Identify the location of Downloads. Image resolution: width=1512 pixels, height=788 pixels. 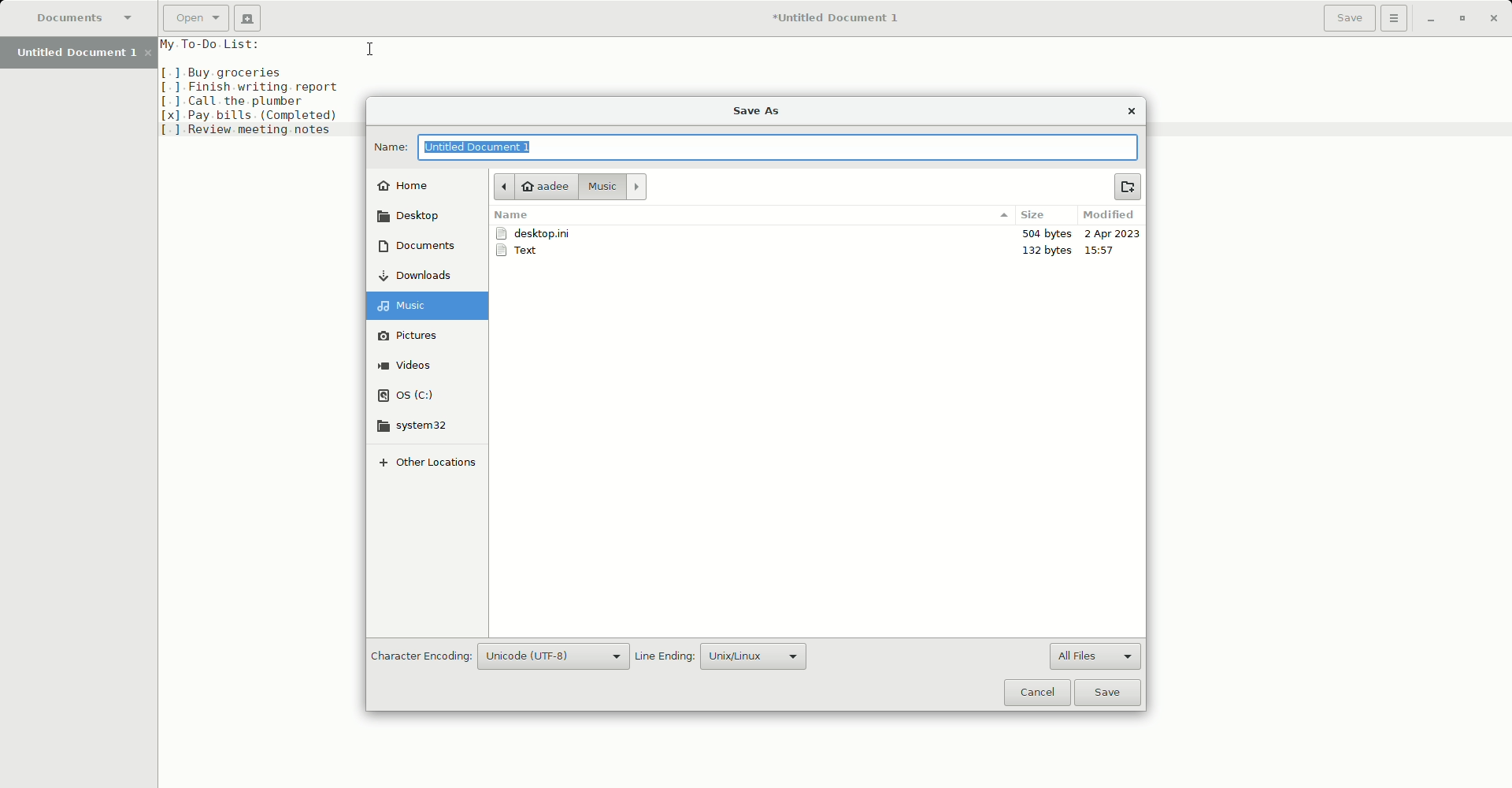
(424, 275).